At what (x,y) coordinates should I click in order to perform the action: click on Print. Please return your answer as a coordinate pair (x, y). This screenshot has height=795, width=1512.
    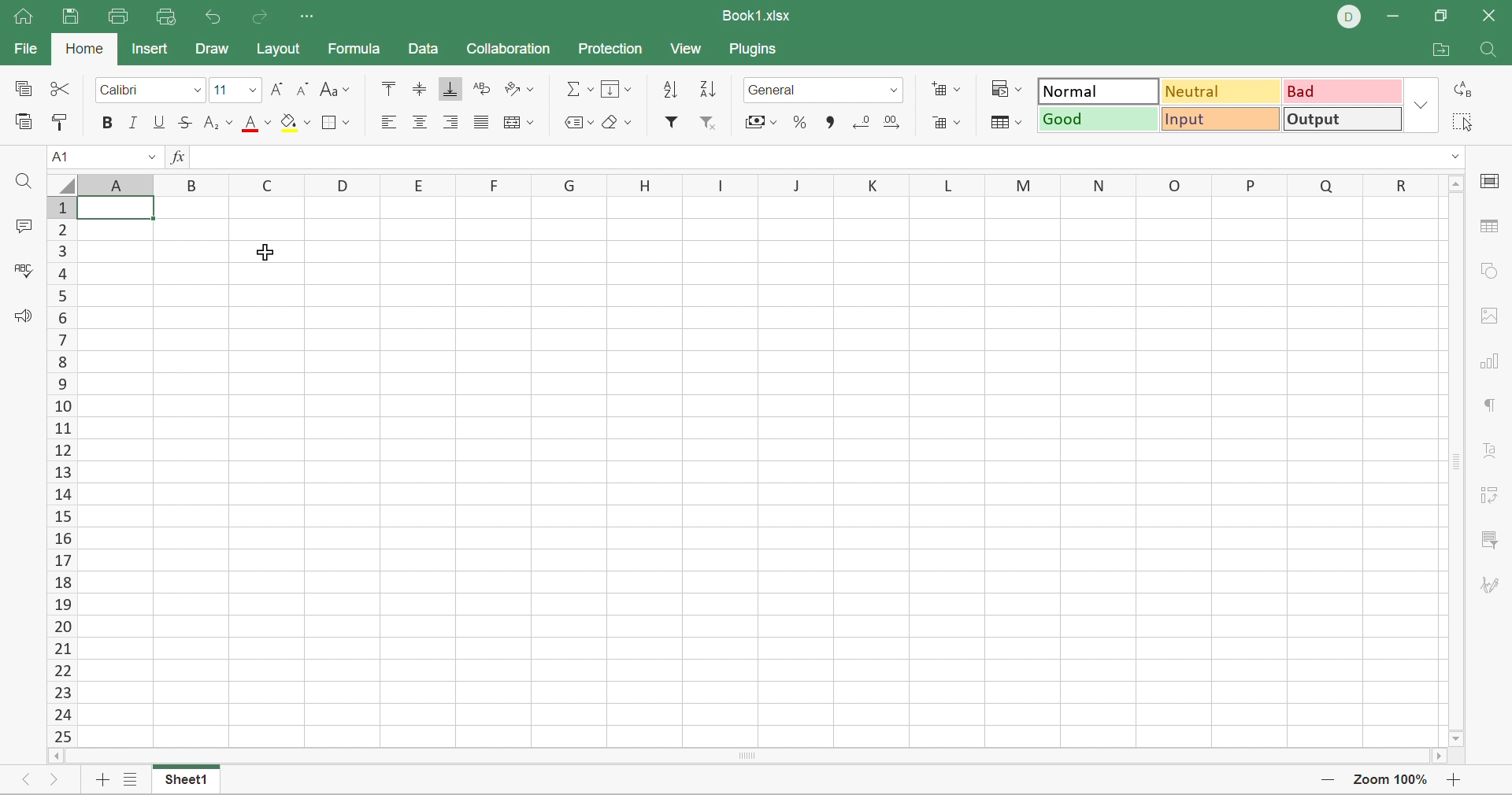
    Looking at the image, I should click on (120, 17).